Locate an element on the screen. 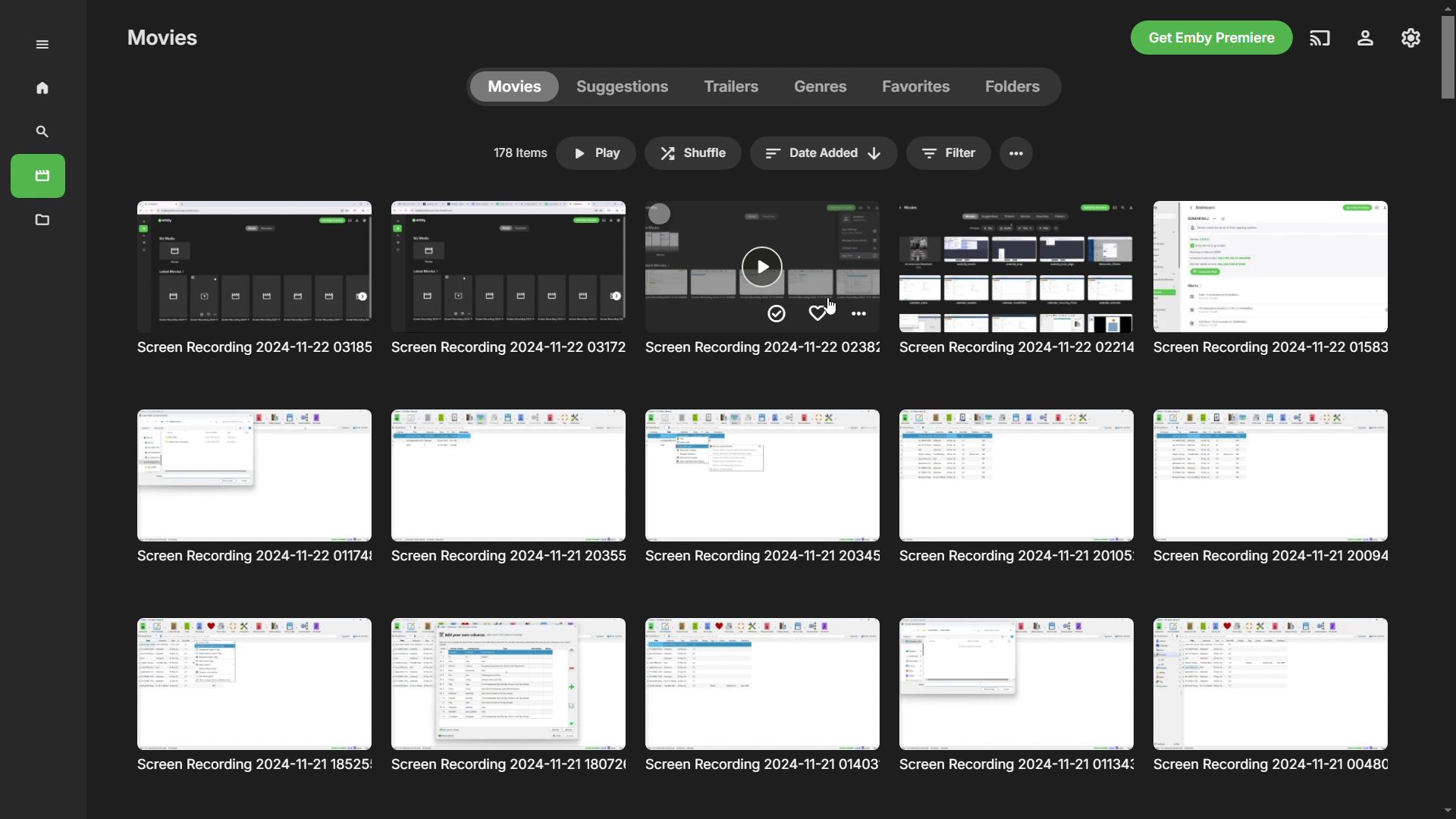  no of items is located at coordinates (517, 153).